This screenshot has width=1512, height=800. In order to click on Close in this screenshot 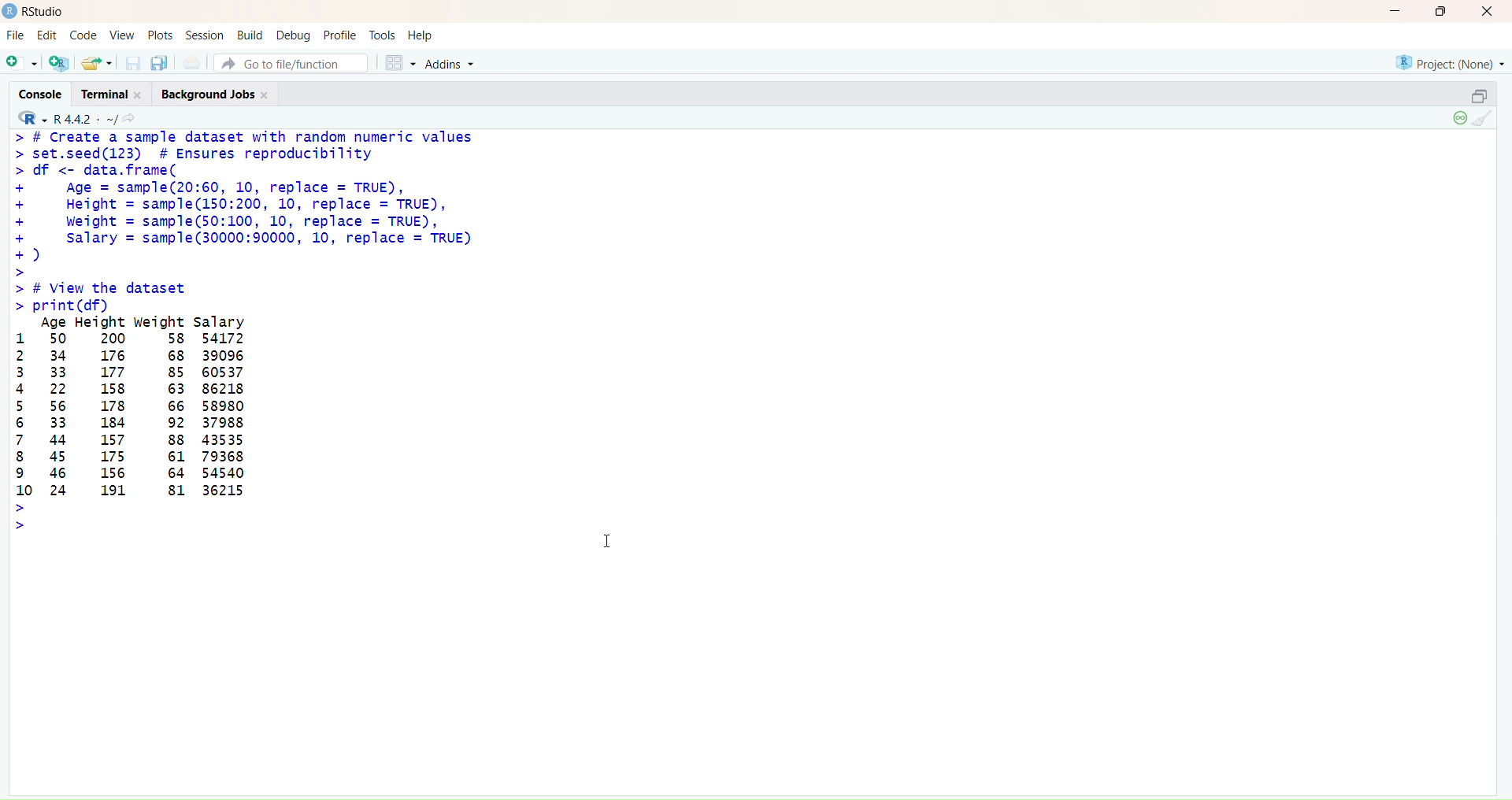, I will do `click(1485, 13)`.